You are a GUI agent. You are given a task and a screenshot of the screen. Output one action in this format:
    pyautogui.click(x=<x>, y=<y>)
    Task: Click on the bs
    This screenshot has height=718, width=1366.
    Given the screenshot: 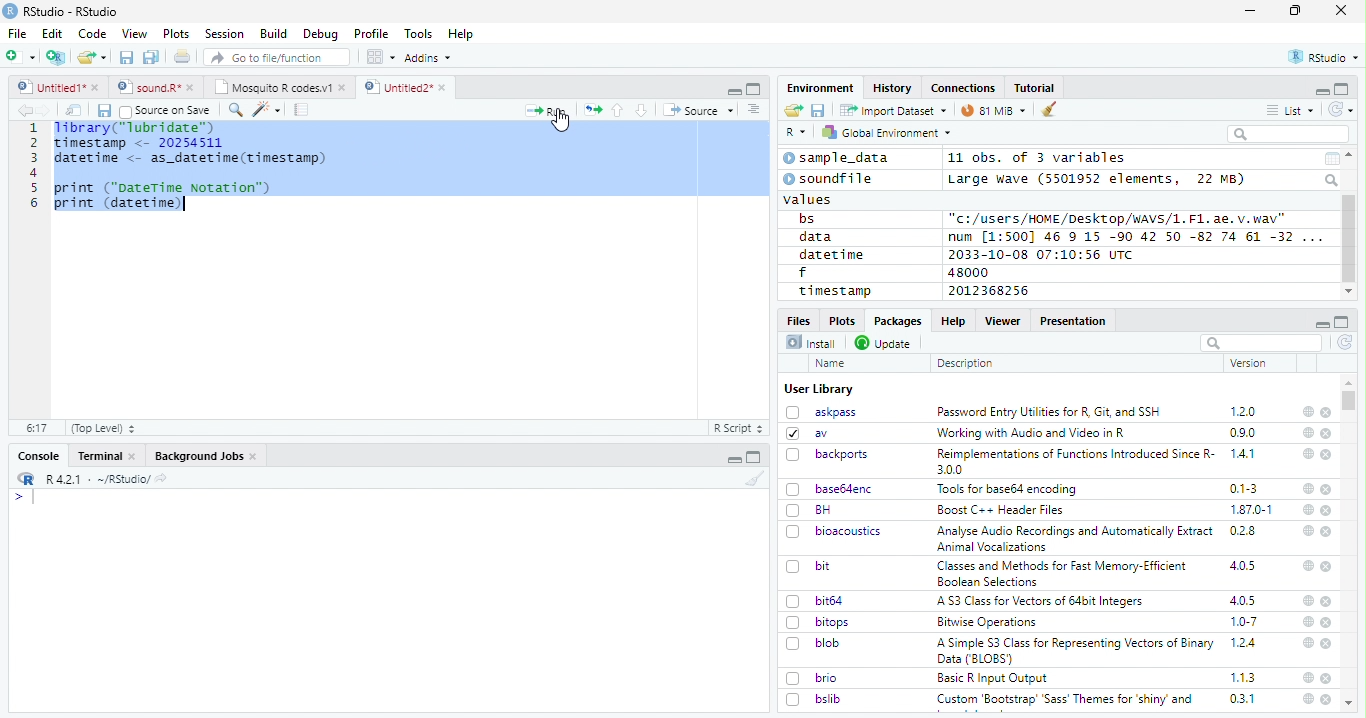 What is the action you would take?
    pyautogui.click(x=807, y=219)
    